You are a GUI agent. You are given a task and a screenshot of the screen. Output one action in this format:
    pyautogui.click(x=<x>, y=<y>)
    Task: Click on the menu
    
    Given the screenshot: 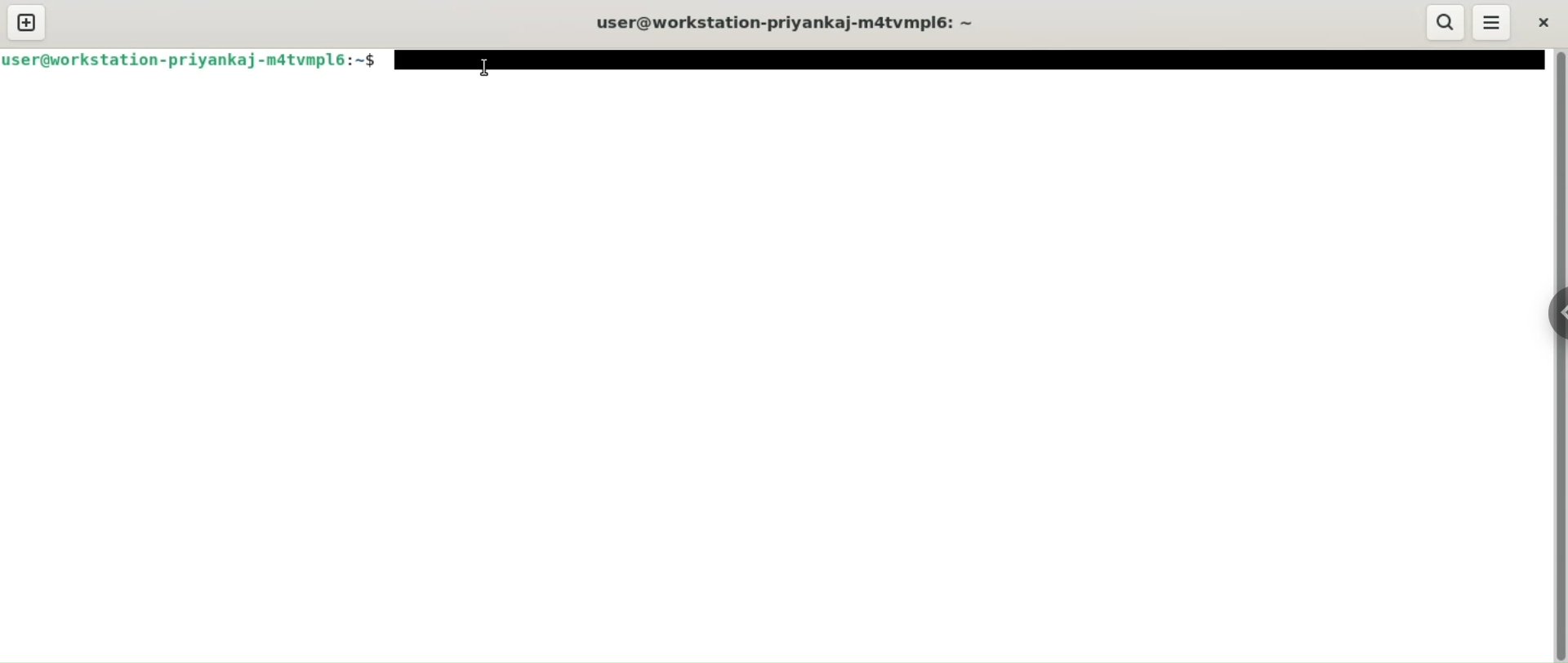 What is the action you would take?
    pyautogui.click(x=1492, y=22)
    